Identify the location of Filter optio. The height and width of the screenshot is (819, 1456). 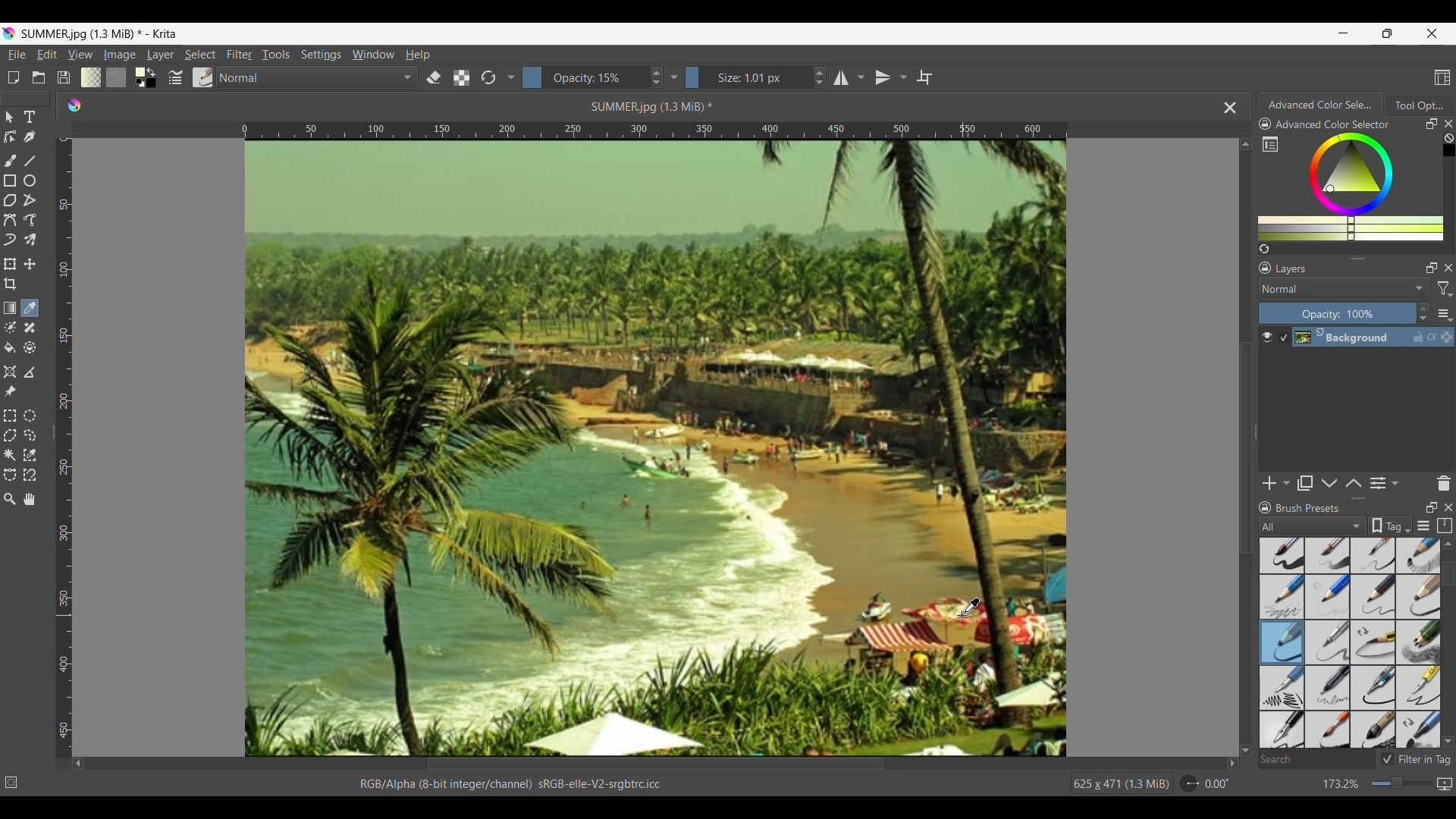
(1444, 290).